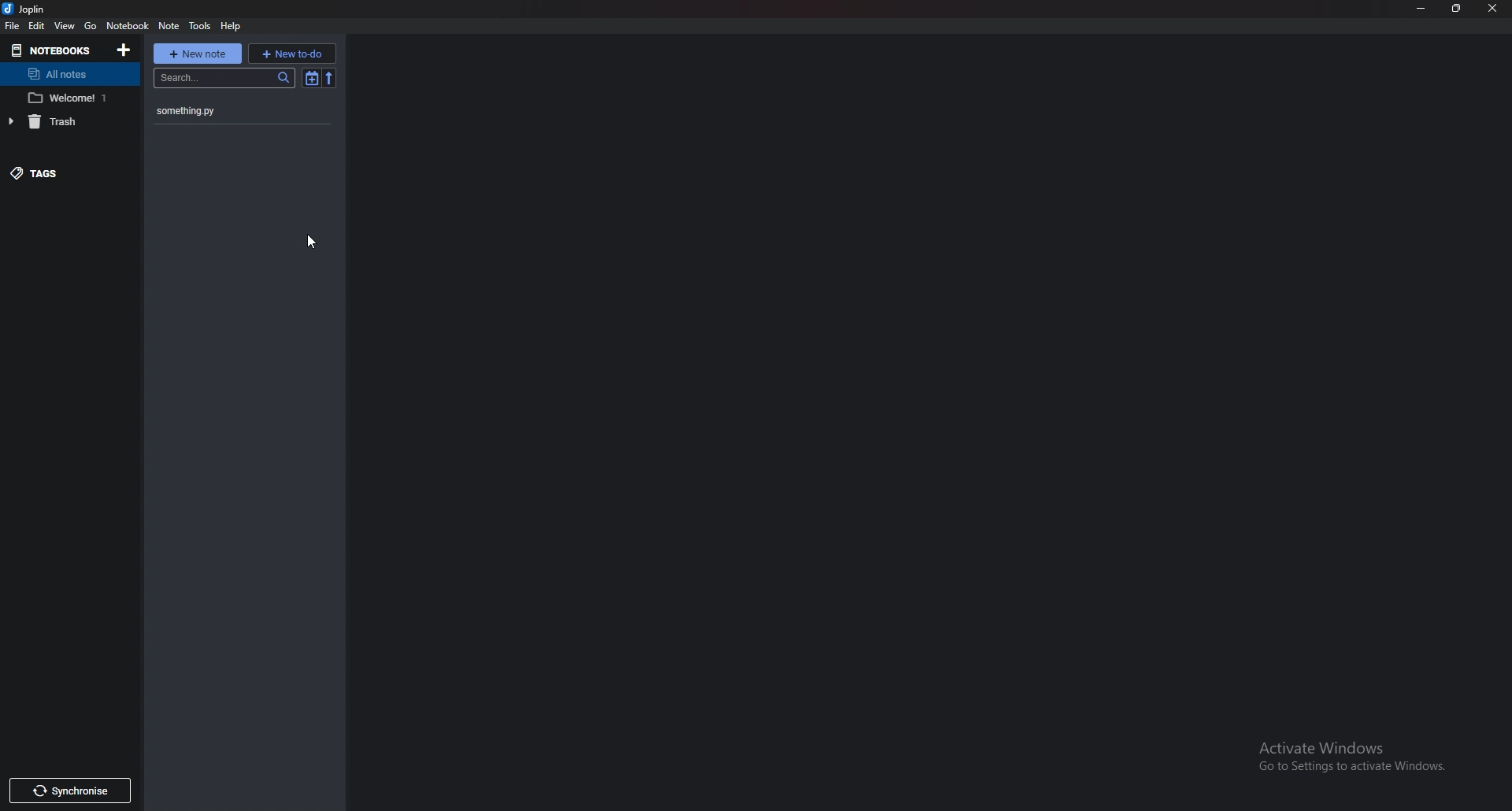 The height and width of the screenshot is (811, 1512). What do you see at coordinates (129, 26) in the screenshot?
I see `Notebook` at bounding box center [129, 26].